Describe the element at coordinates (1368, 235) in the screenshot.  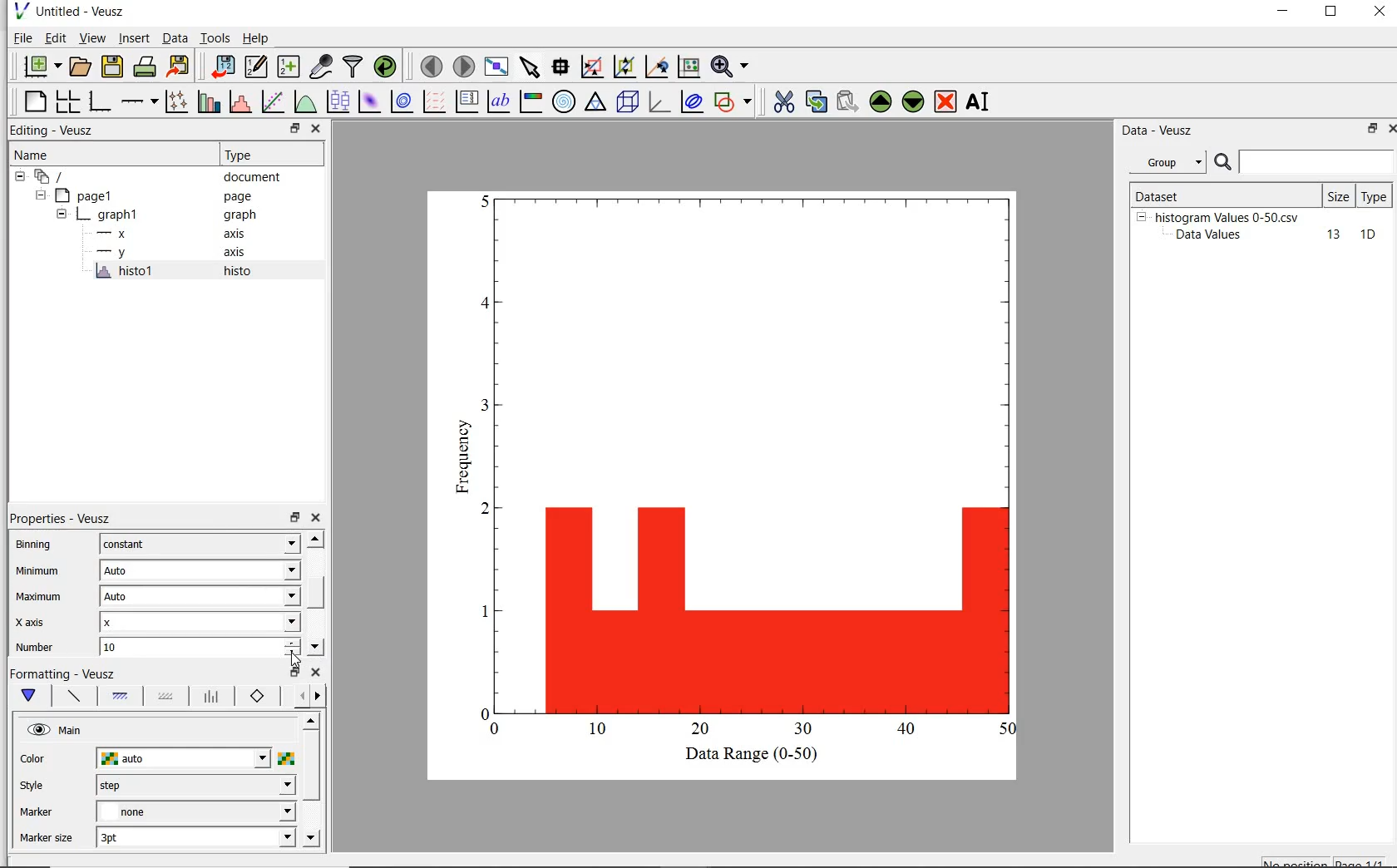
I see `10` at that location.